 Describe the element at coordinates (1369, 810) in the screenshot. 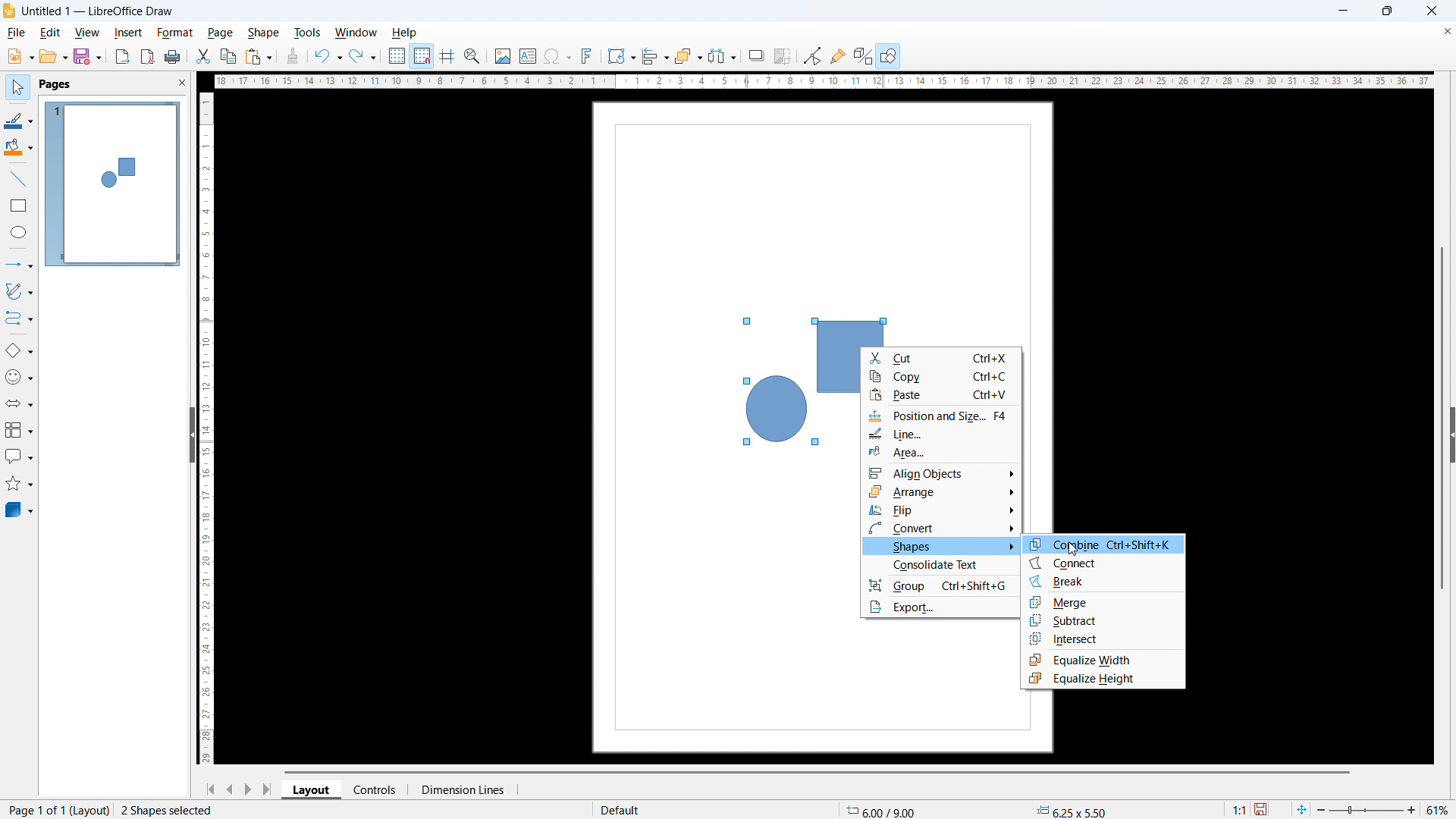

I see `zoom slider` at that location.